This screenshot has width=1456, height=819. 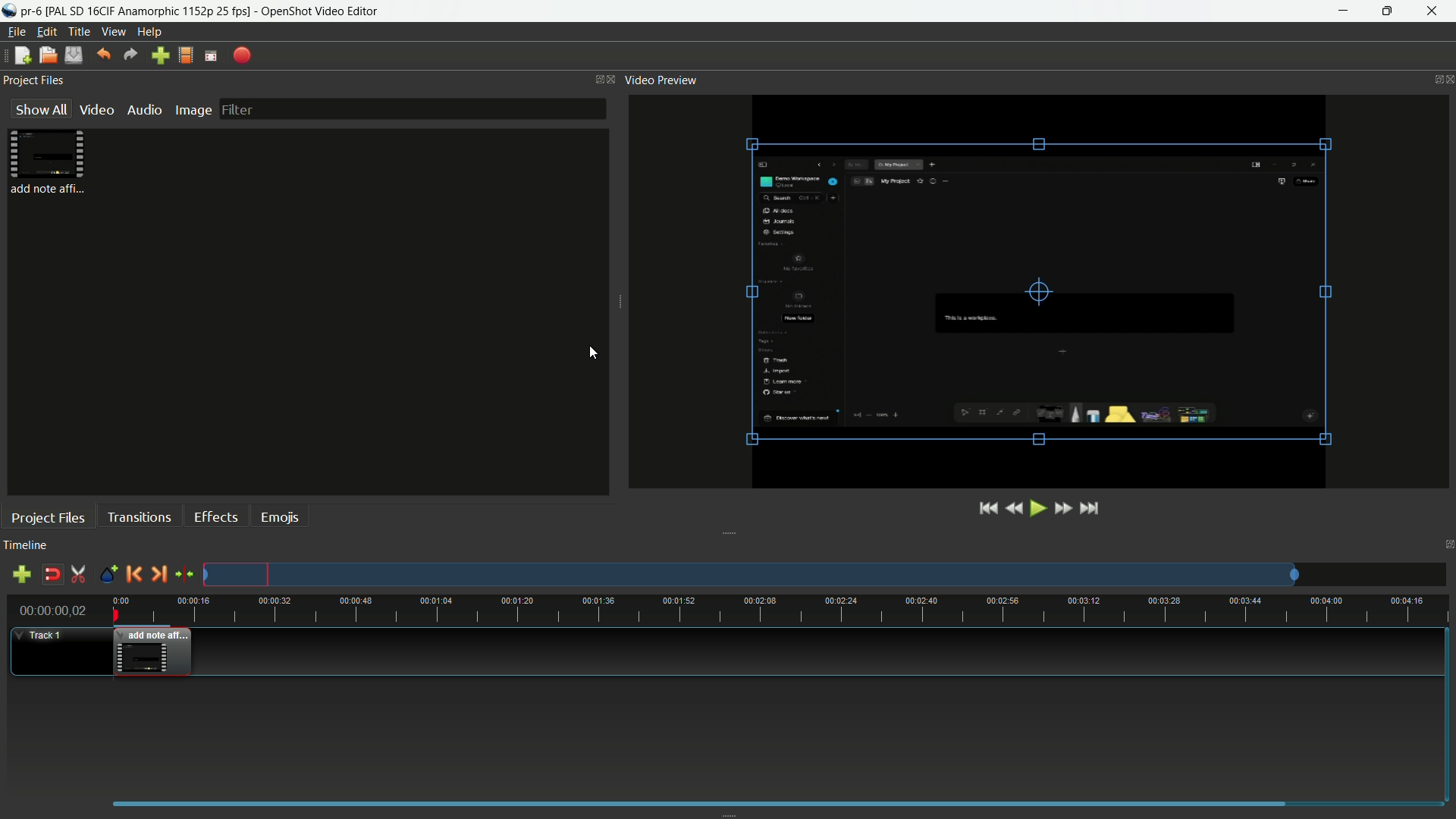 I want to click on video preview, so click(x=1031, y=293).